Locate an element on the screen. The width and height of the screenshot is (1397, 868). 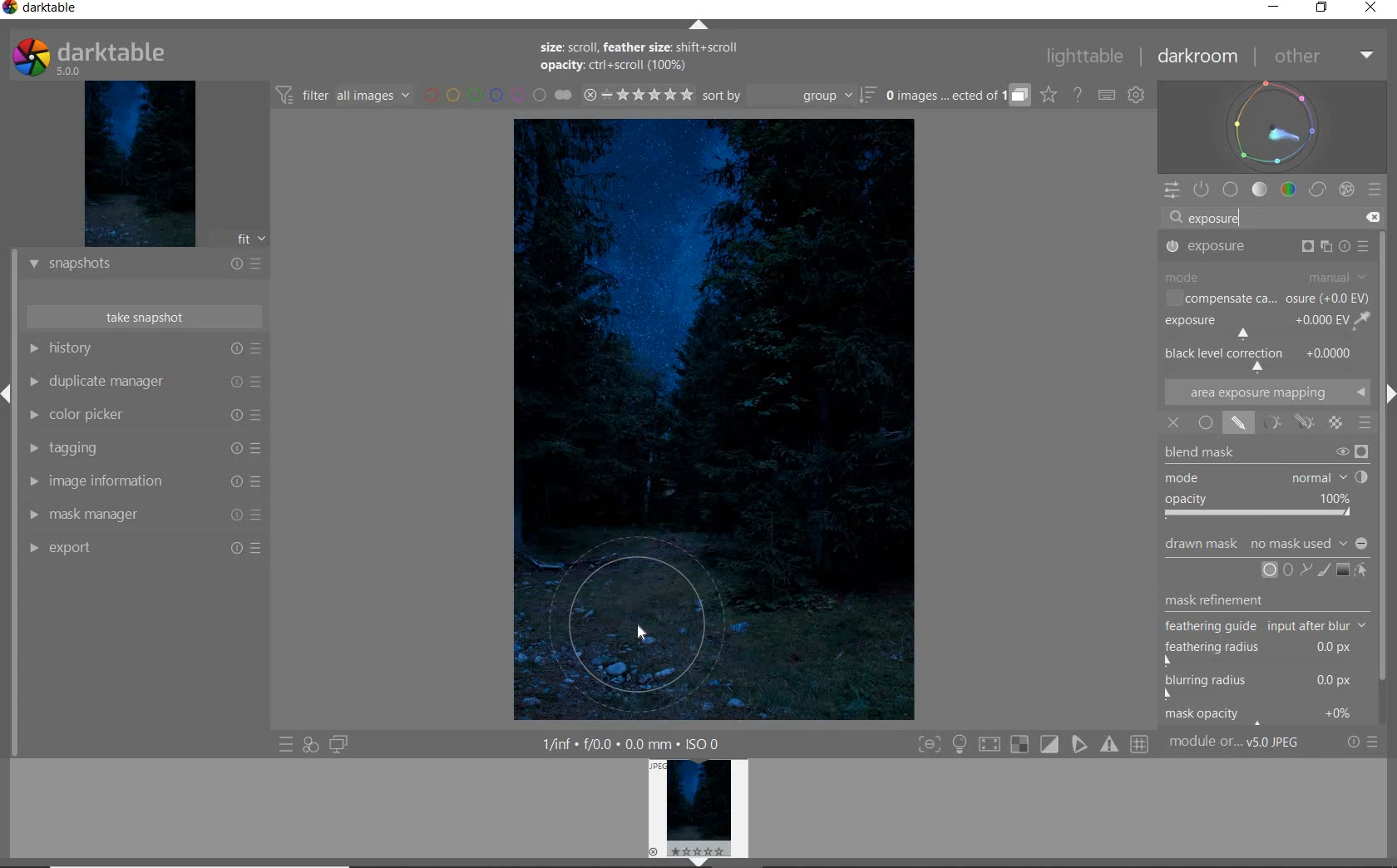
HELP ONLINE is located at coordinates (1078, 96).